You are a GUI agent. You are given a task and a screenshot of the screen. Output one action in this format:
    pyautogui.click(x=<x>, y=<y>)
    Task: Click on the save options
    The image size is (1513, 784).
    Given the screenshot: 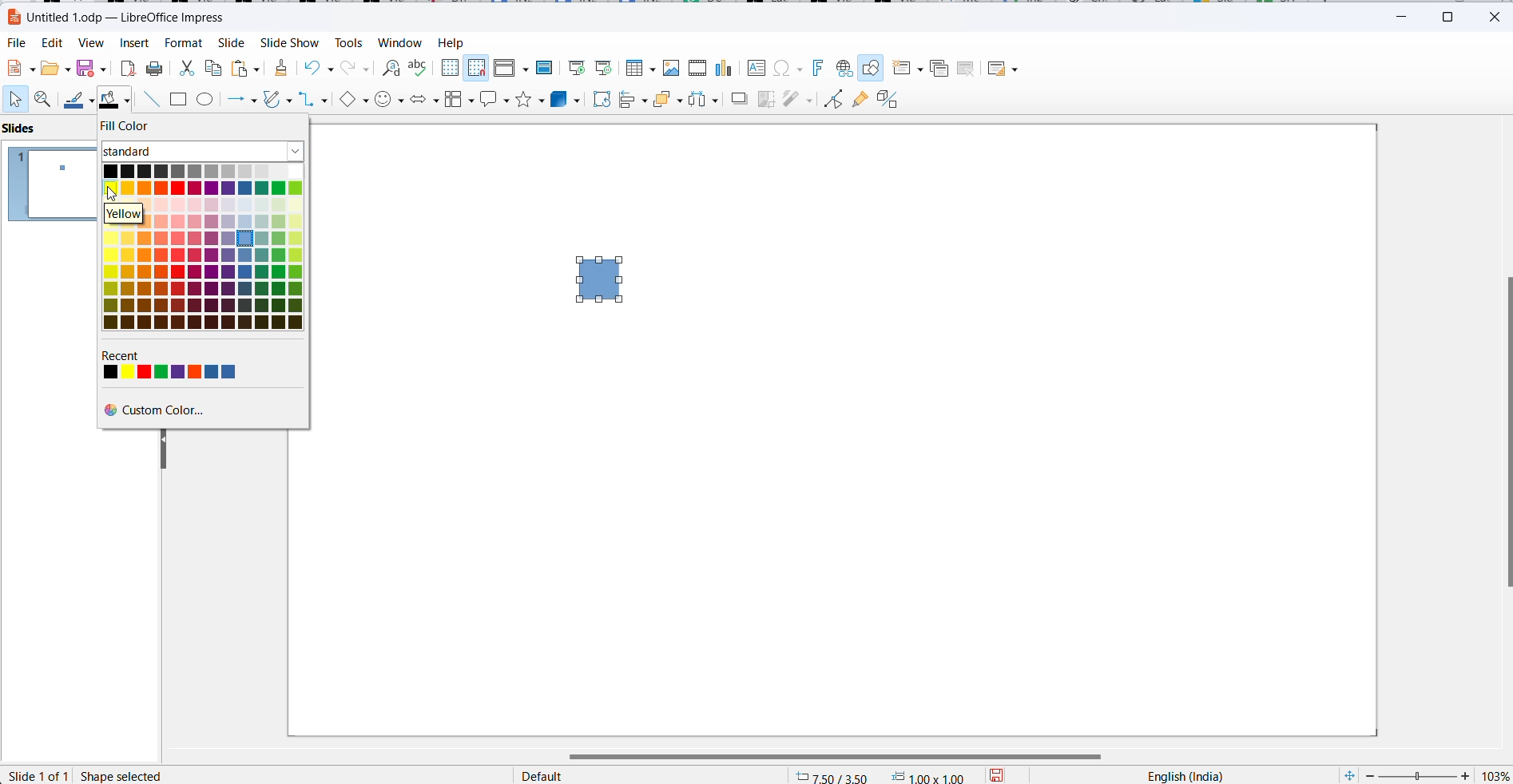 What is the action you would take?
    pyautogui.click(x=1001, y=774)
    